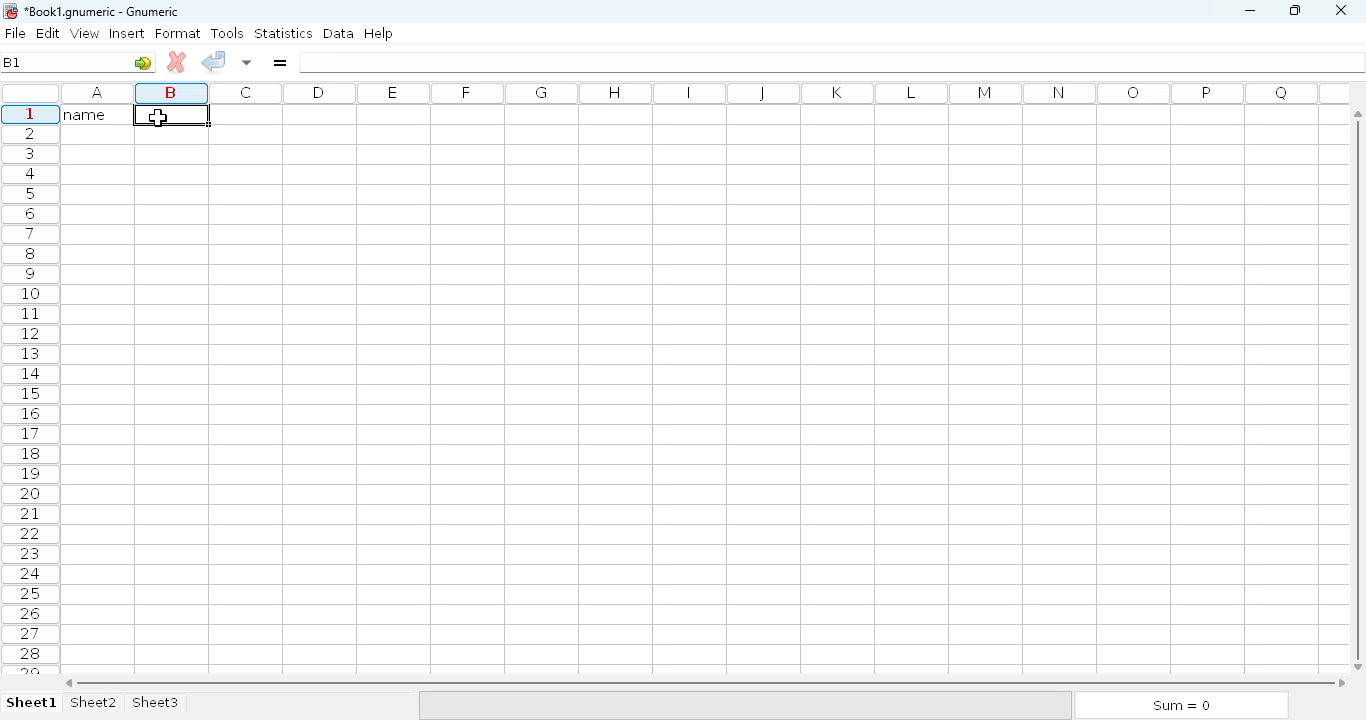 The width and height of the screenshot is (1366, 720). What do you see at coordinates (30, 391) in the screenshot?
I see `rows` at bounding box center [30, 391].